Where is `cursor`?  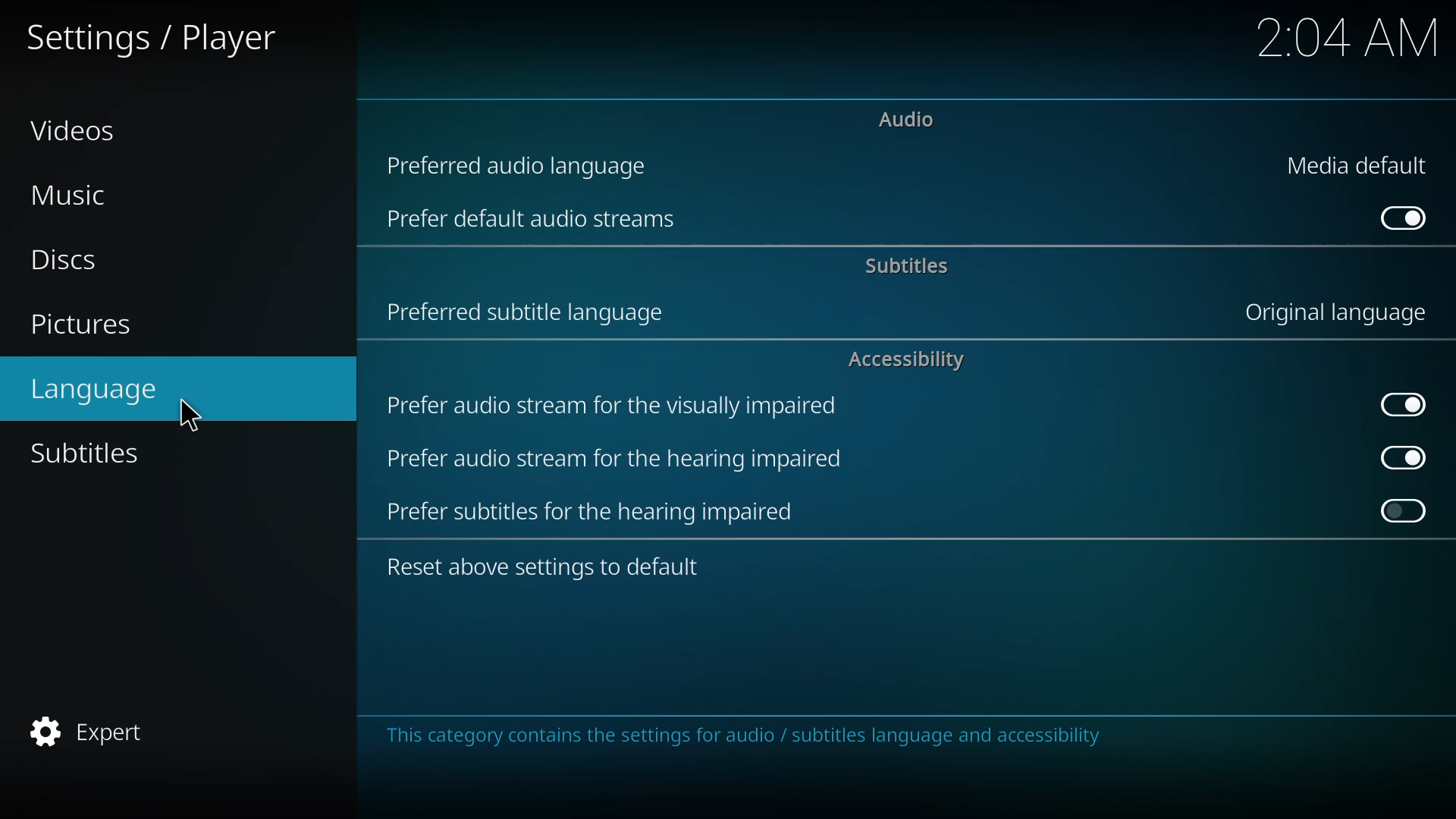 cursor is located at coordinates (187, 411).